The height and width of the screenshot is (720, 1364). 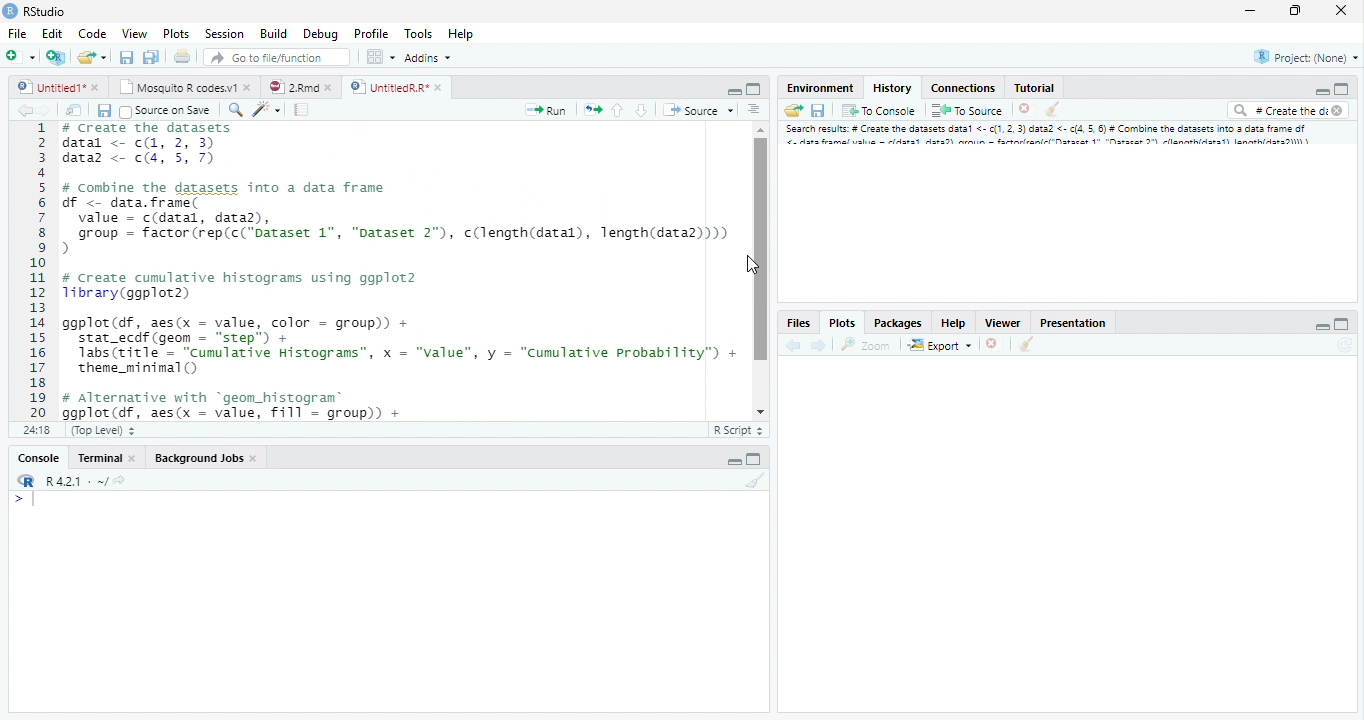 I want to click on Clear console, so click(x=1055, y=111).